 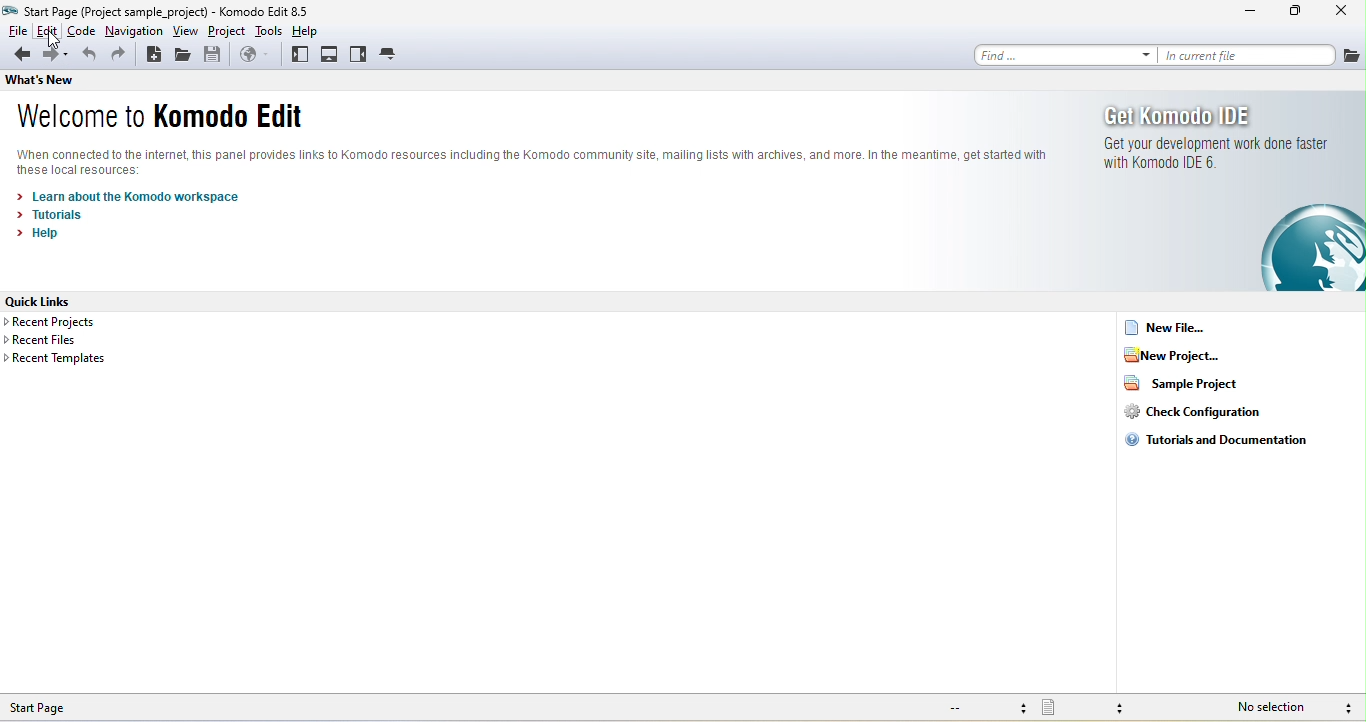 I want to click on forward, so click(x=55, y=54).